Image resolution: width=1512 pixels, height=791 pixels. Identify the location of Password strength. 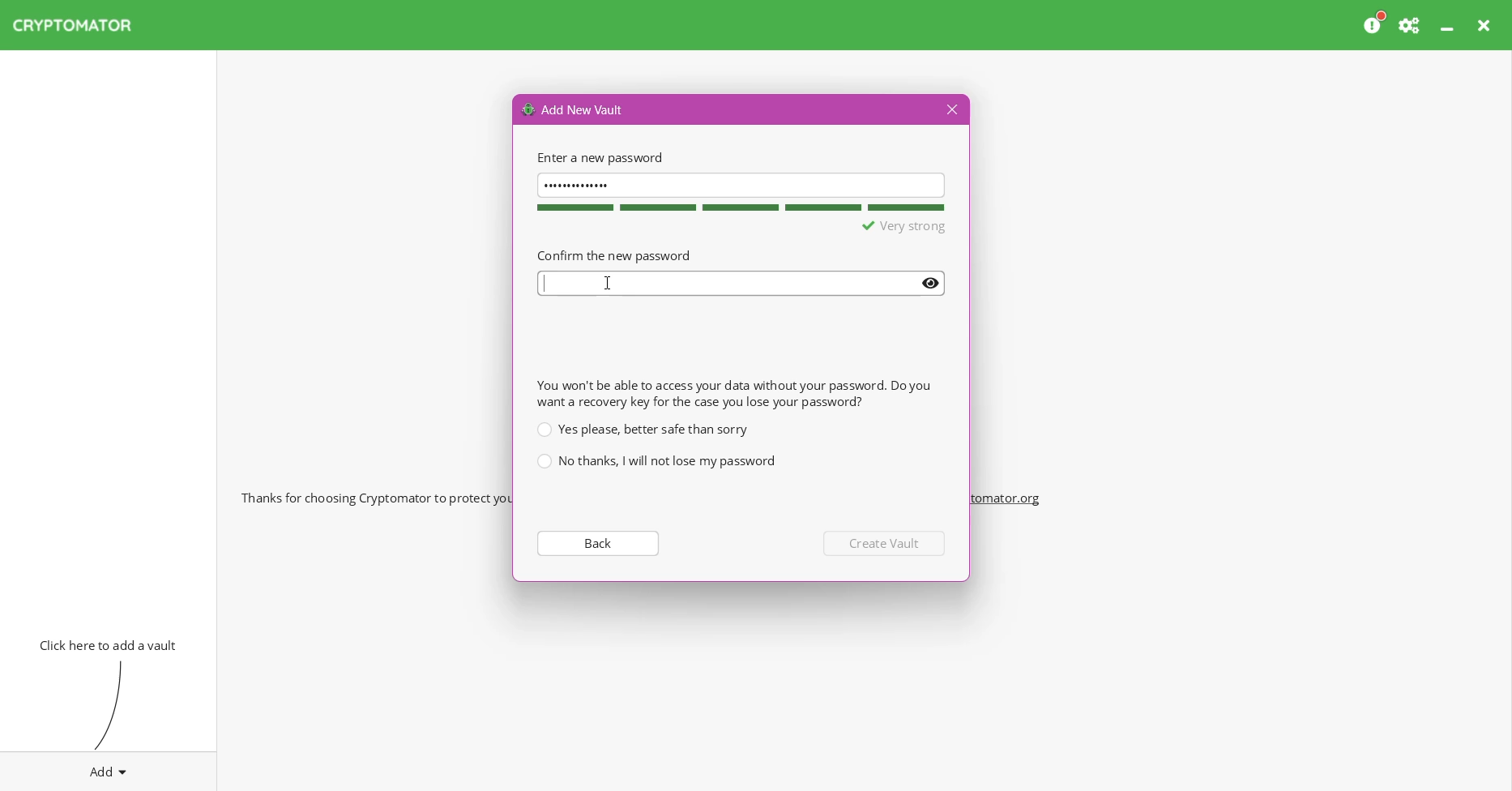
(738, 207).